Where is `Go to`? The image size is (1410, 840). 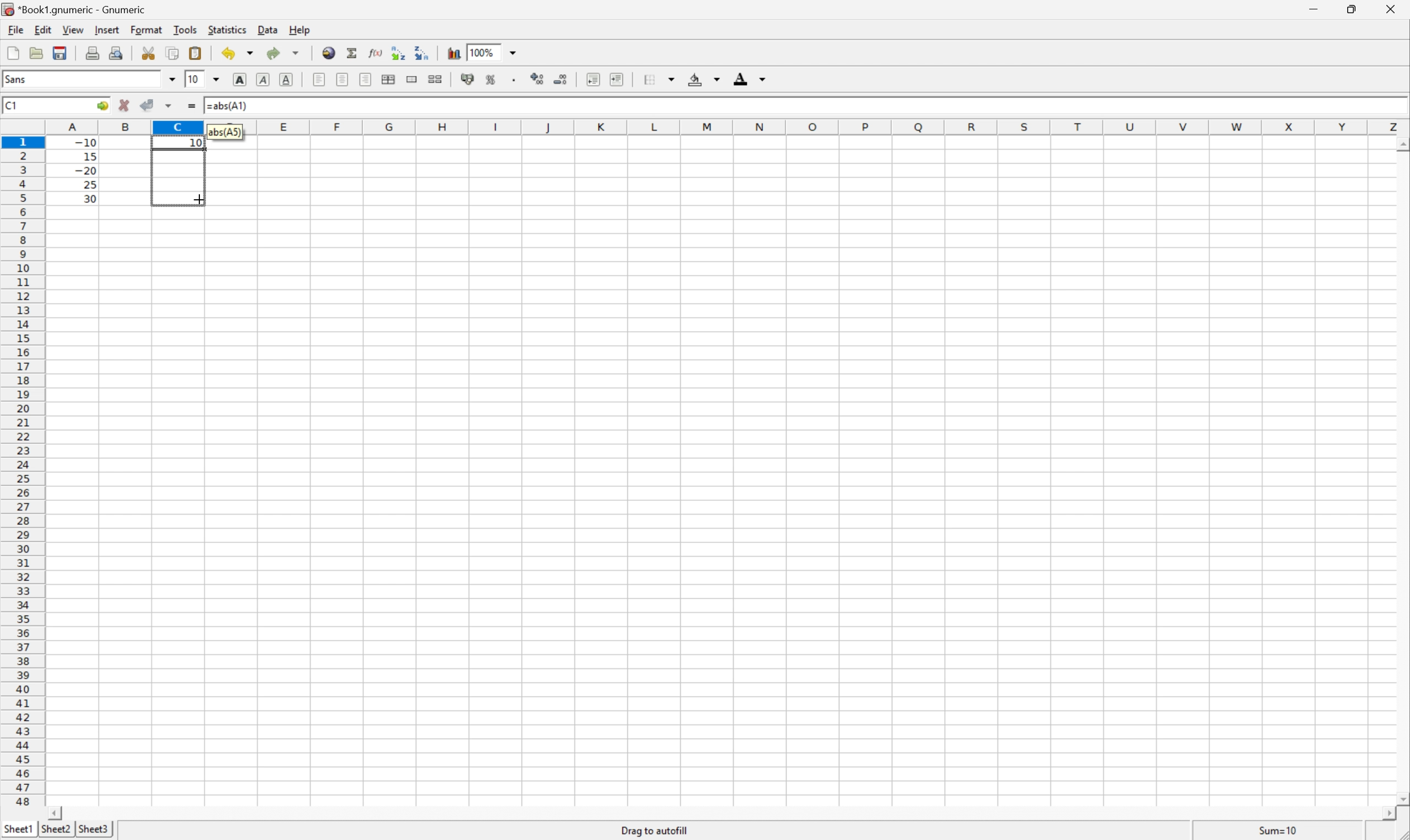 Go to is located at coordinates (101, 106).